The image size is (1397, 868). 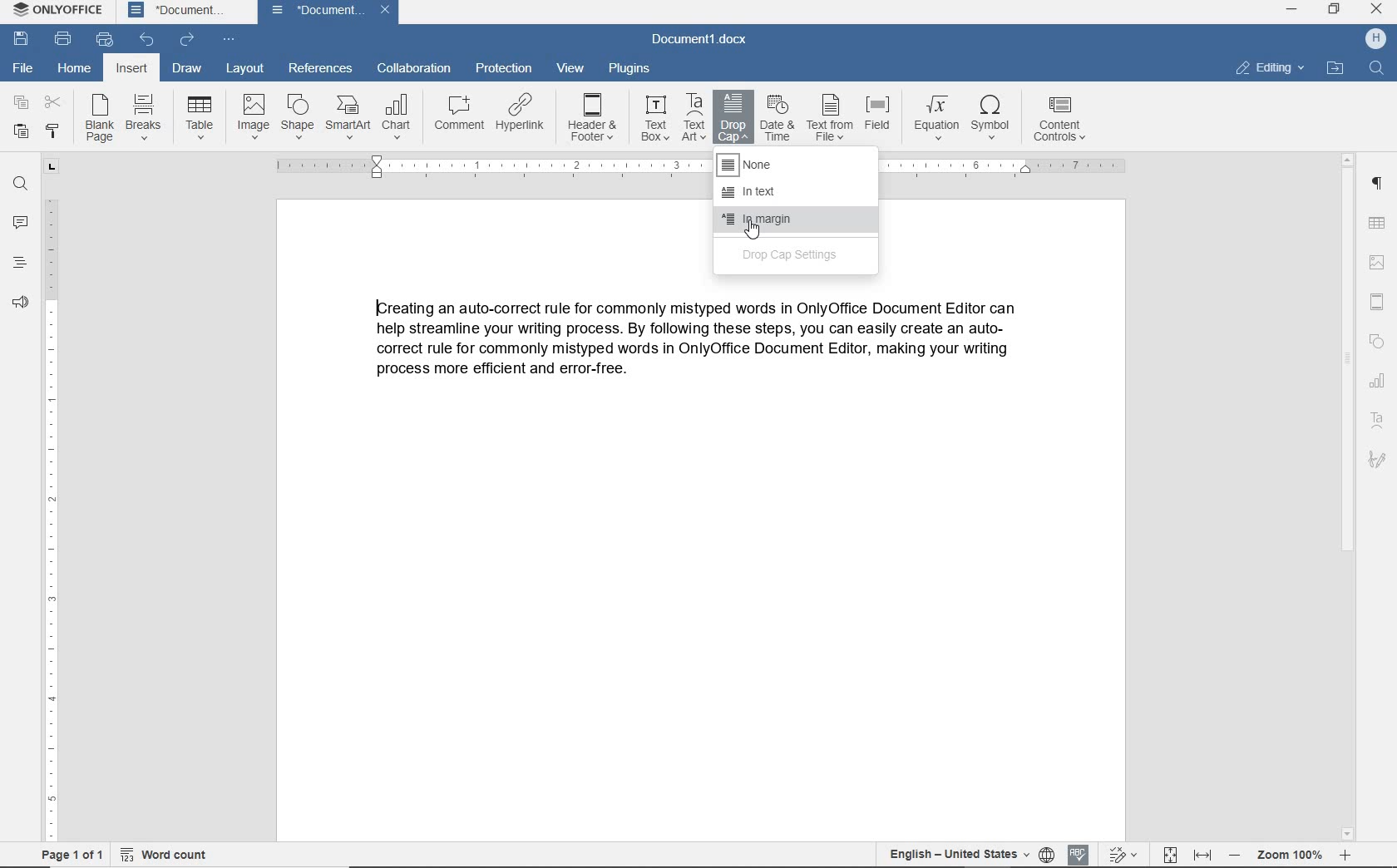 I want to click on zoom out or zoom in, so click(x=1295, y=856).